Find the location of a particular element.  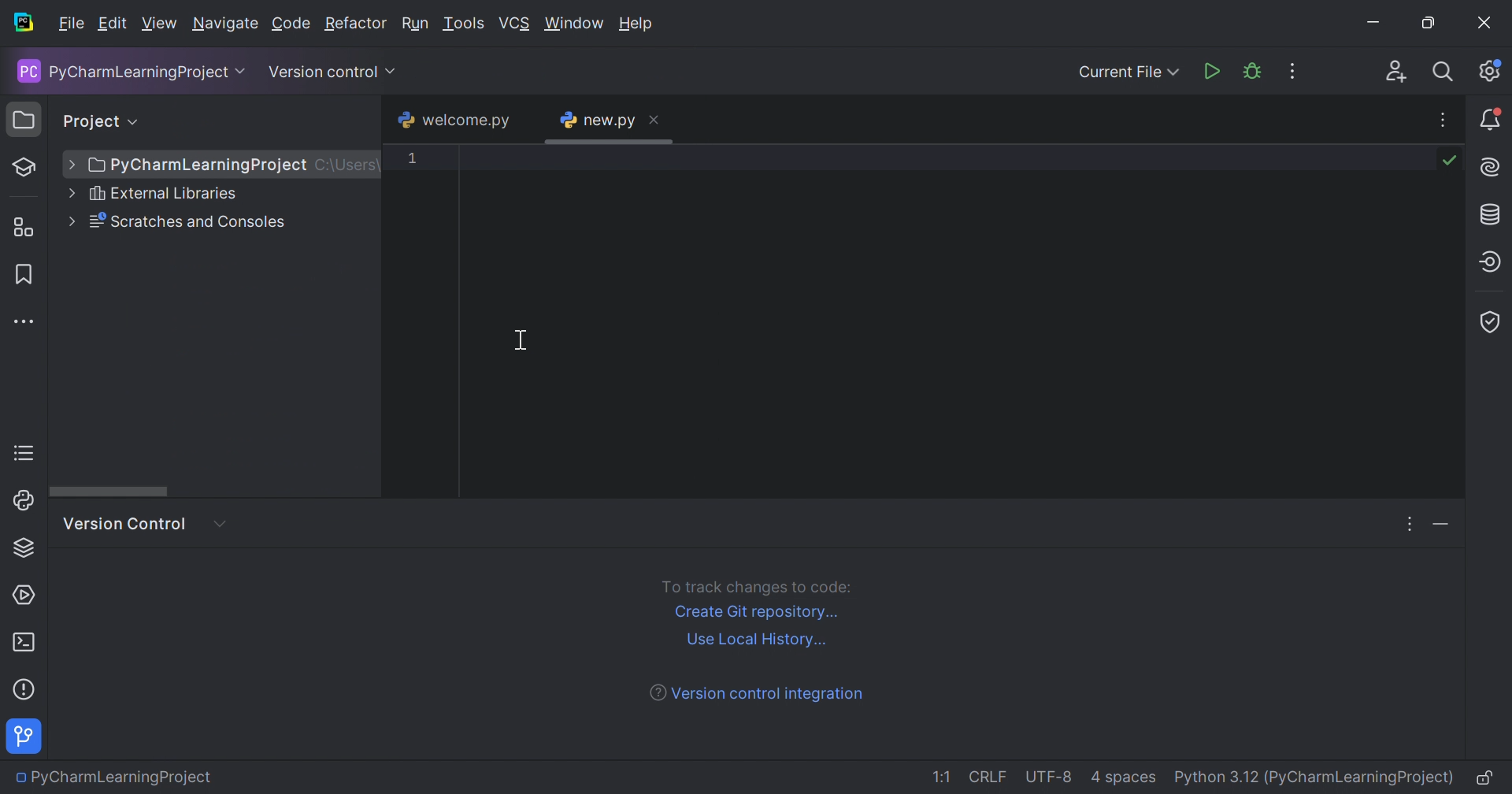

Restore down is located at coordinates (1431, 24).